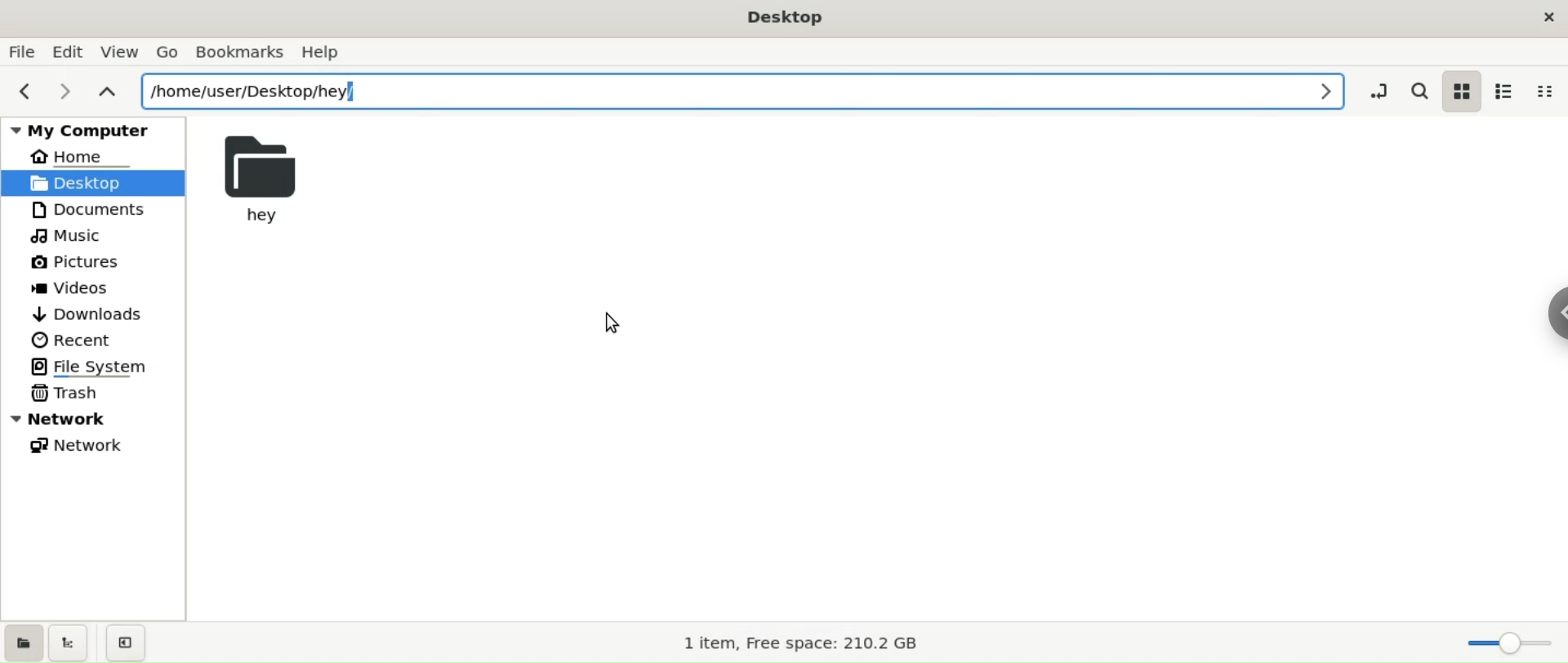 This screenshot has width=1568, height=663. I want to click on close, so click(1548, 20).